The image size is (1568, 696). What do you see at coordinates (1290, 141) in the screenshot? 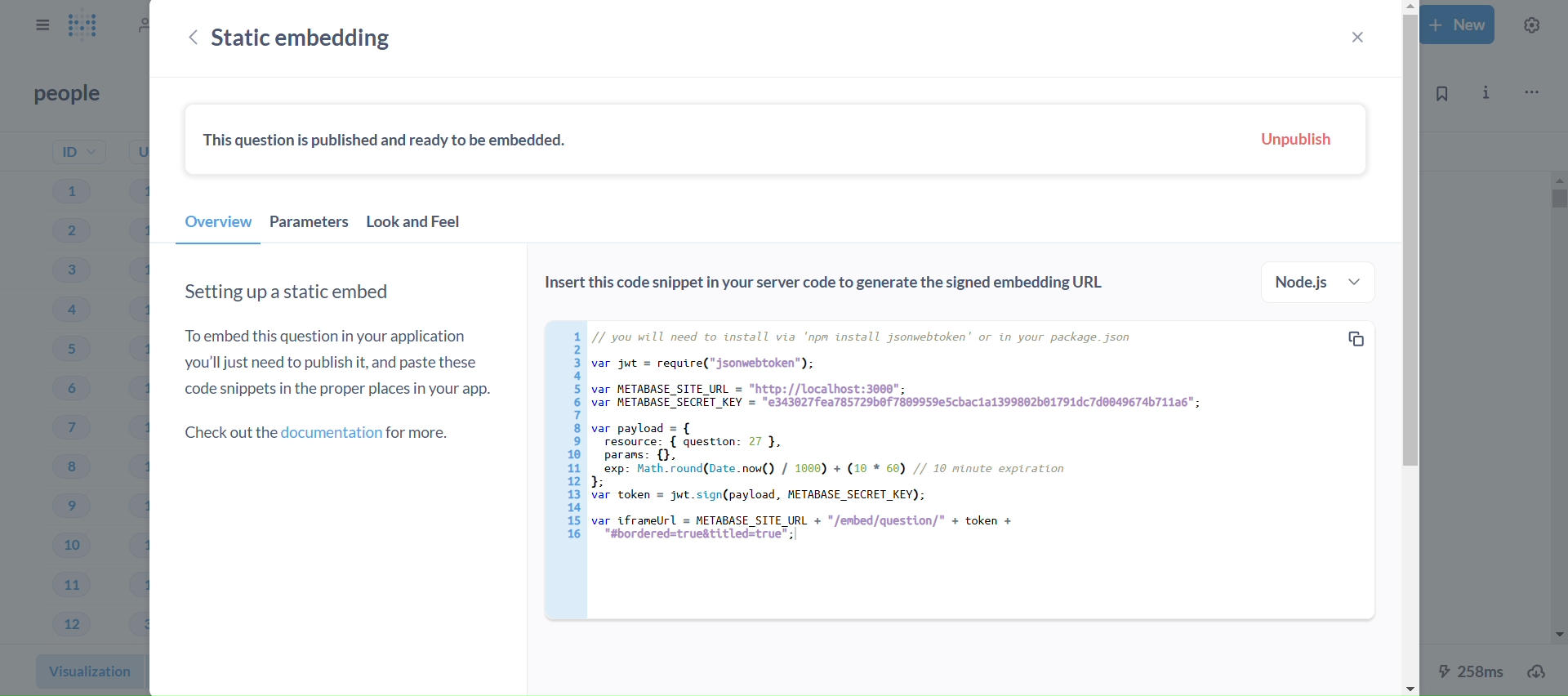
I see `unpublish` at bounding box center [1290, 141].